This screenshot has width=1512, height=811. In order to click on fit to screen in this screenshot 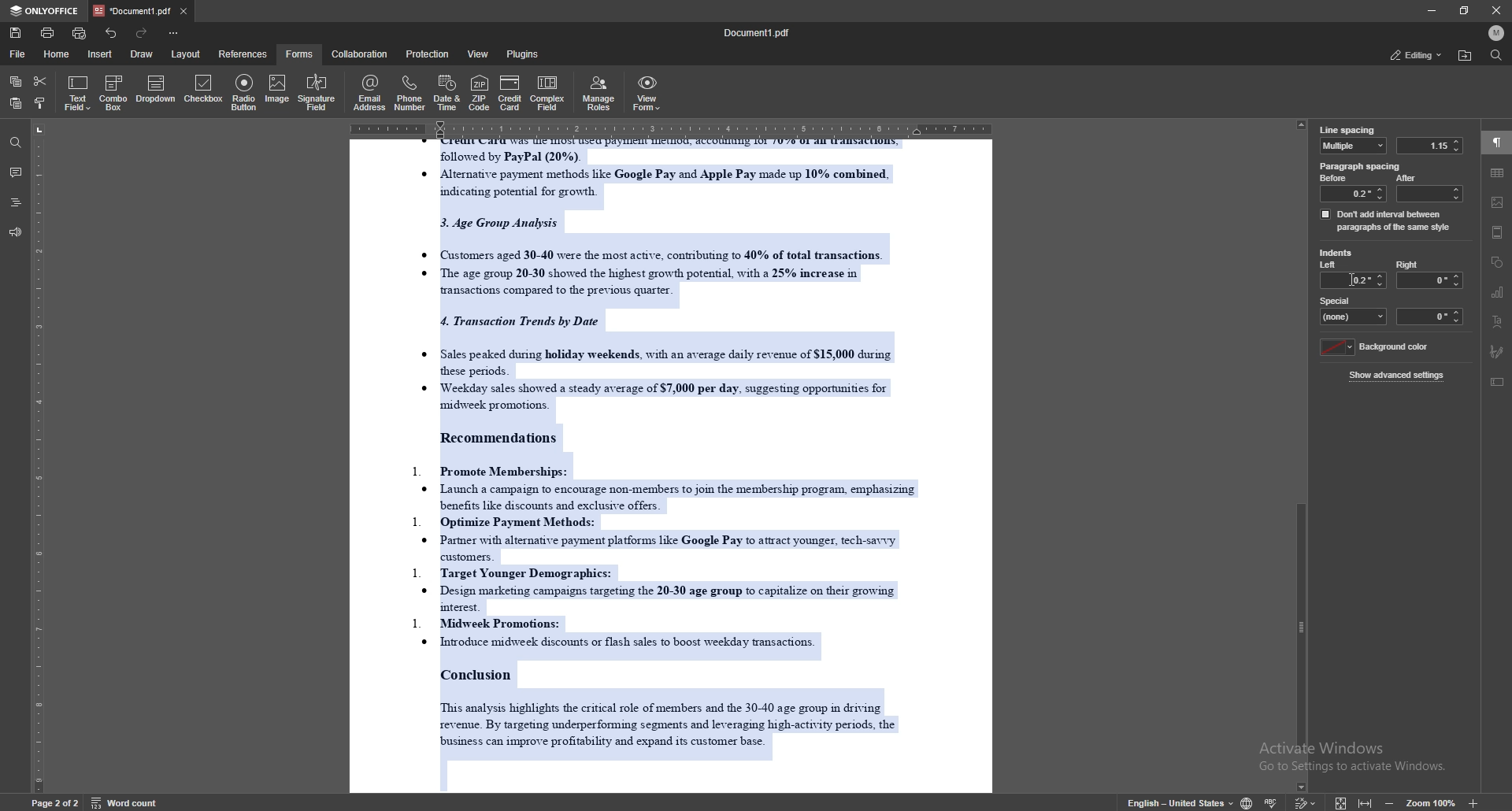, I will do `click(1341, 802)`.